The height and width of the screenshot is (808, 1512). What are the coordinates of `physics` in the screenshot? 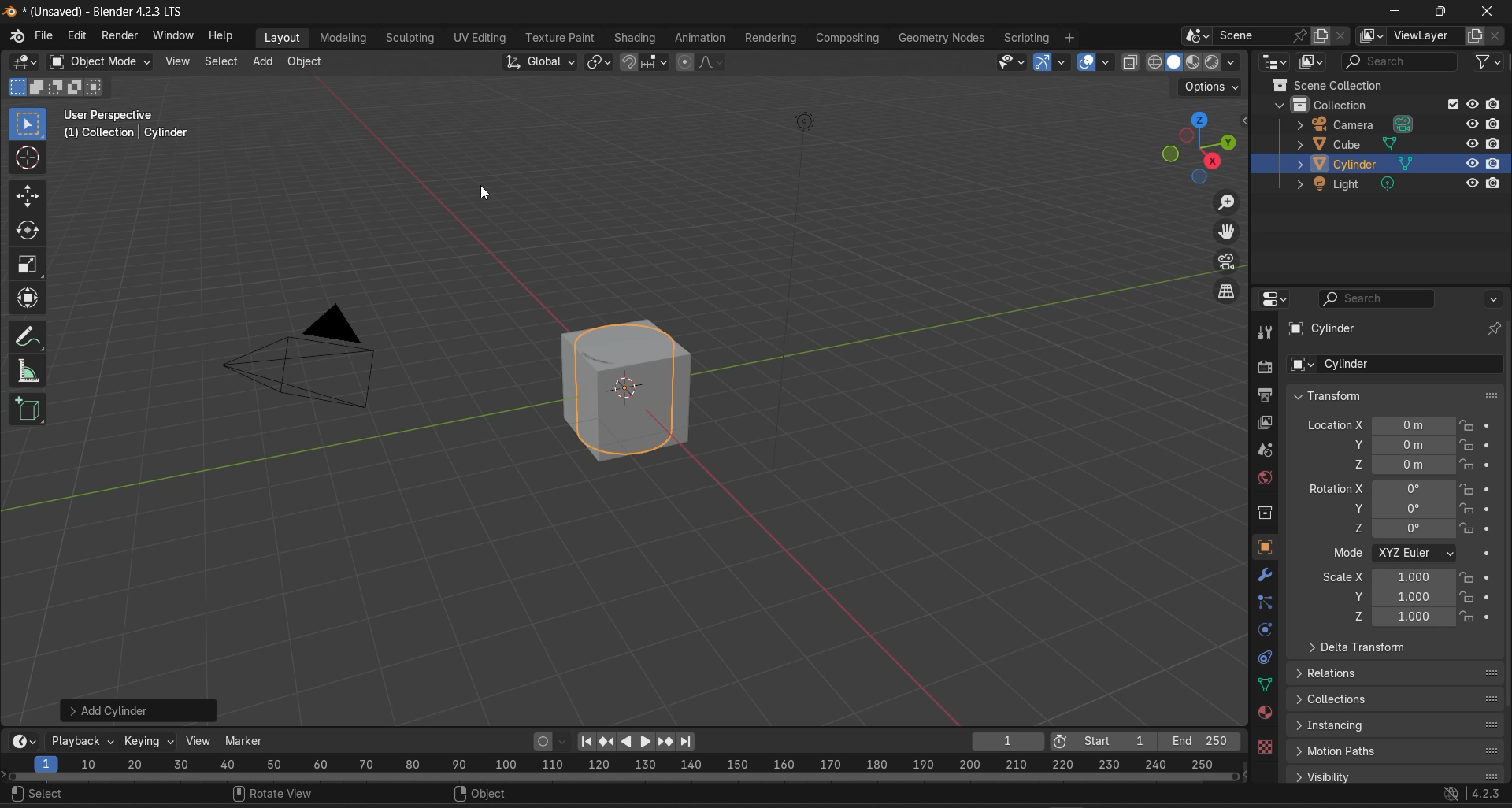 It's located at (1263, 630).